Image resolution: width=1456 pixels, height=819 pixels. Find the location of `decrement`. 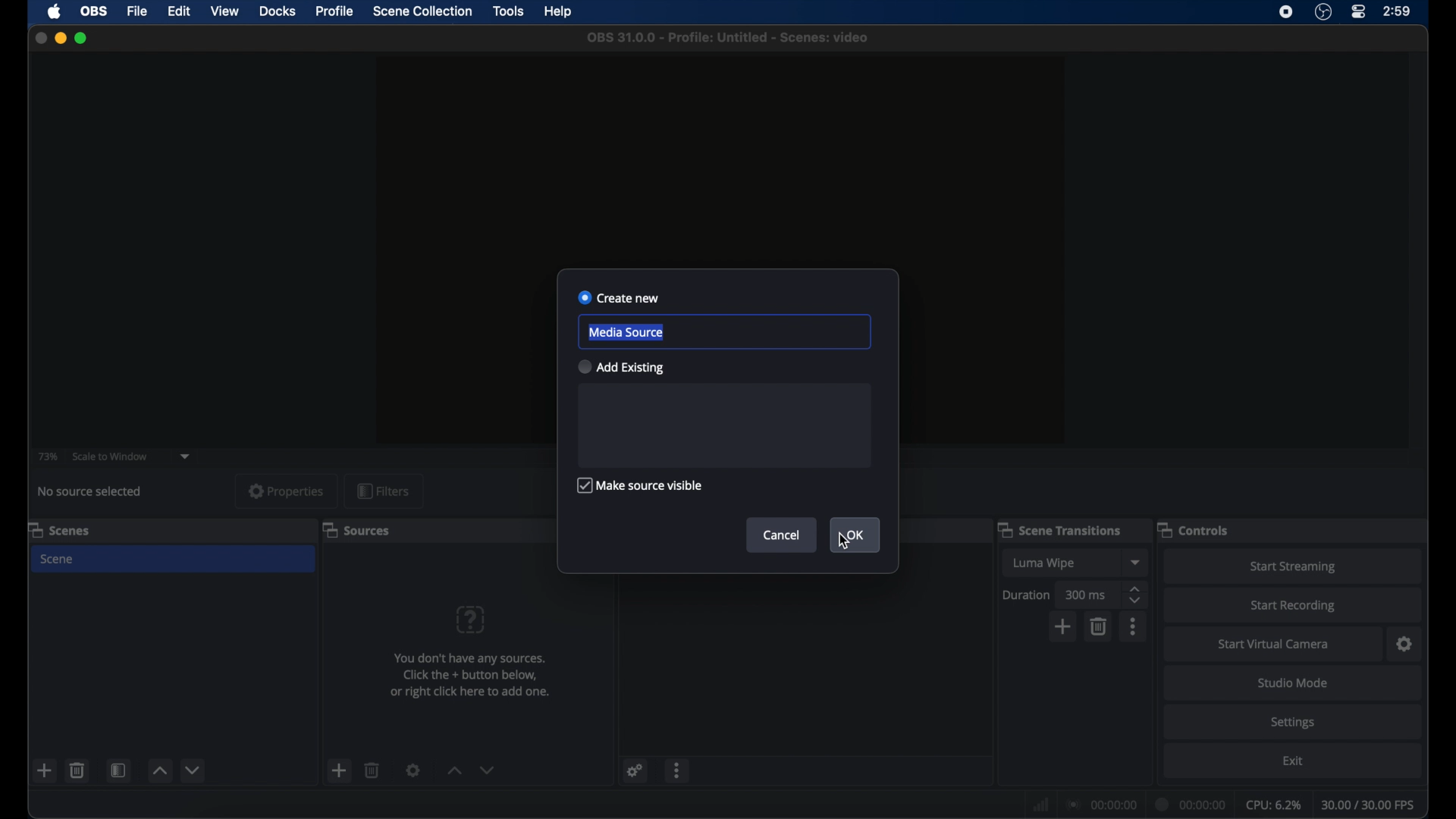

decrement is located at coordinates (487, 771).